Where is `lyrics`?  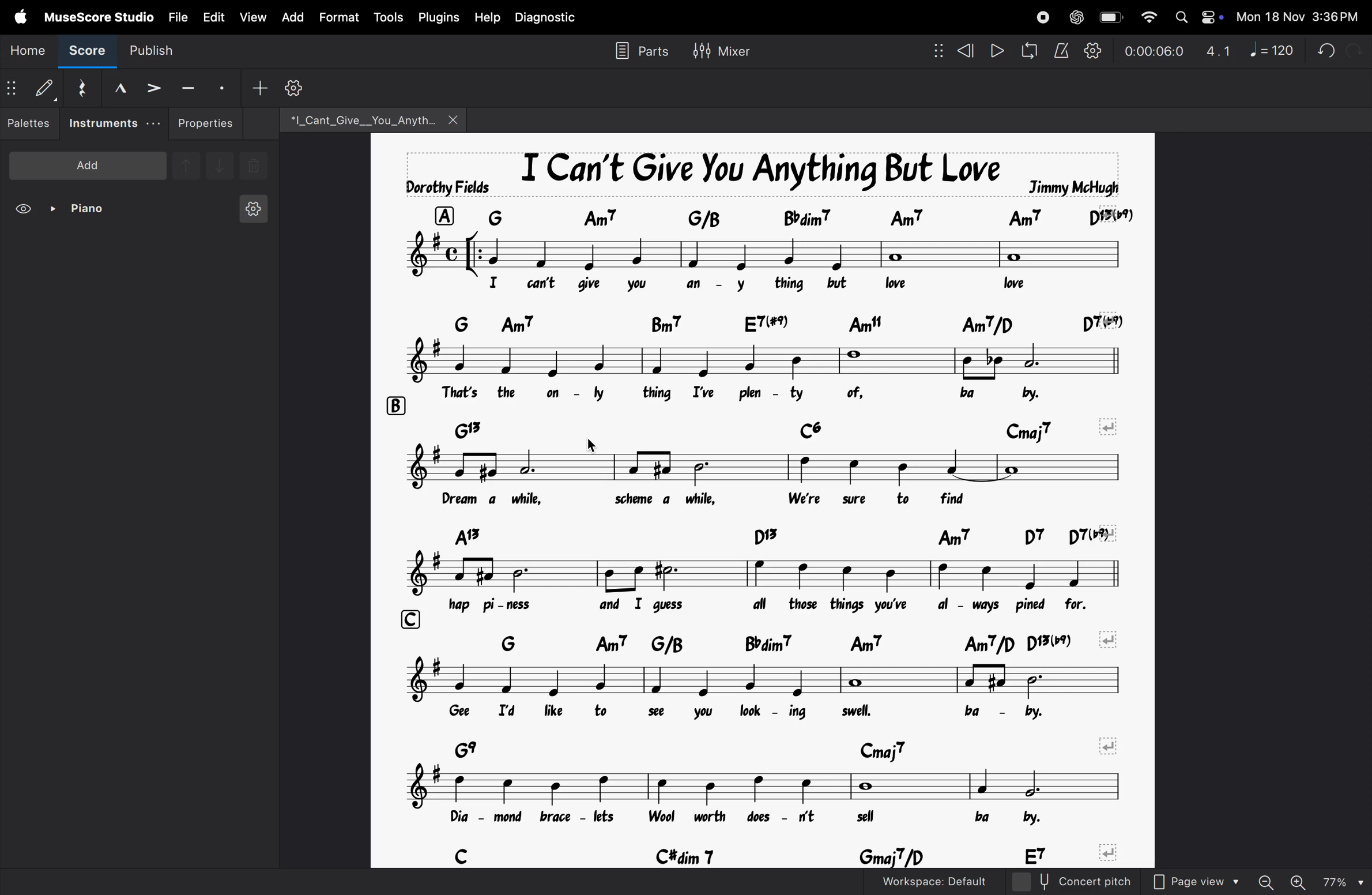
lyrics is located at coordinates (756, 396).